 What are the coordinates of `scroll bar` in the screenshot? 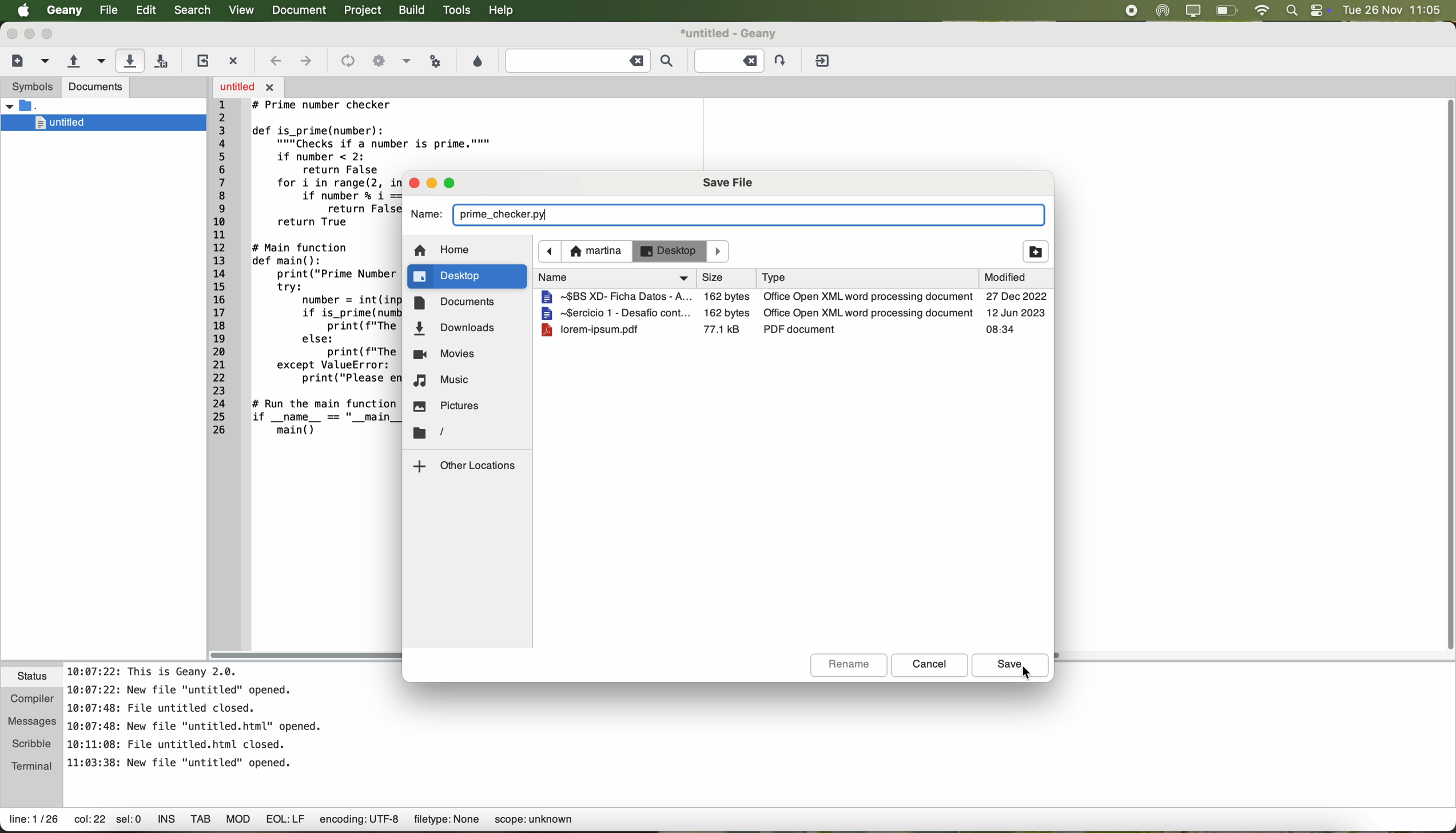 It's located at (307, 656).